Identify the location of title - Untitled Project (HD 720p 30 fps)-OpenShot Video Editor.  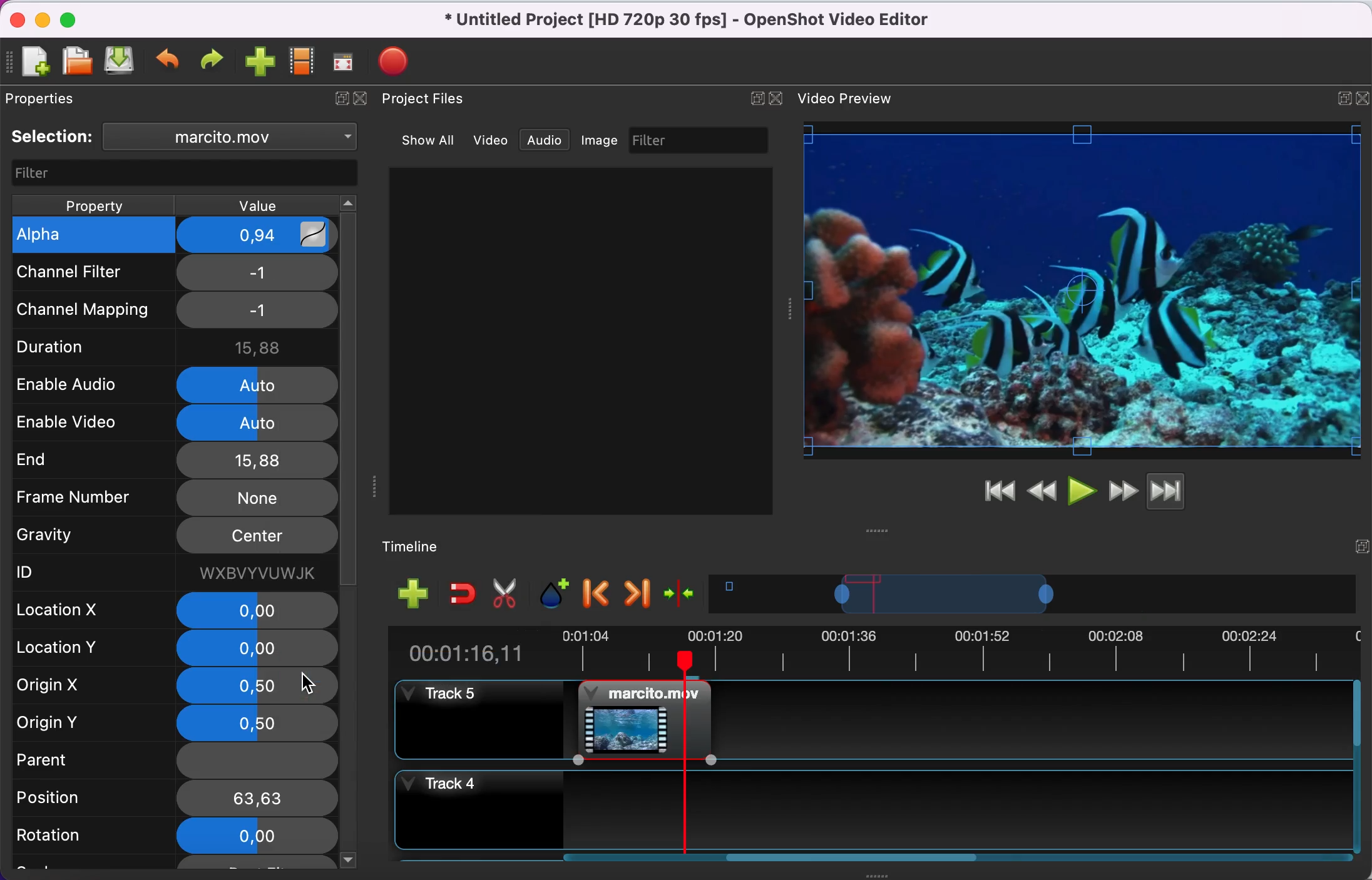
(707, 22).